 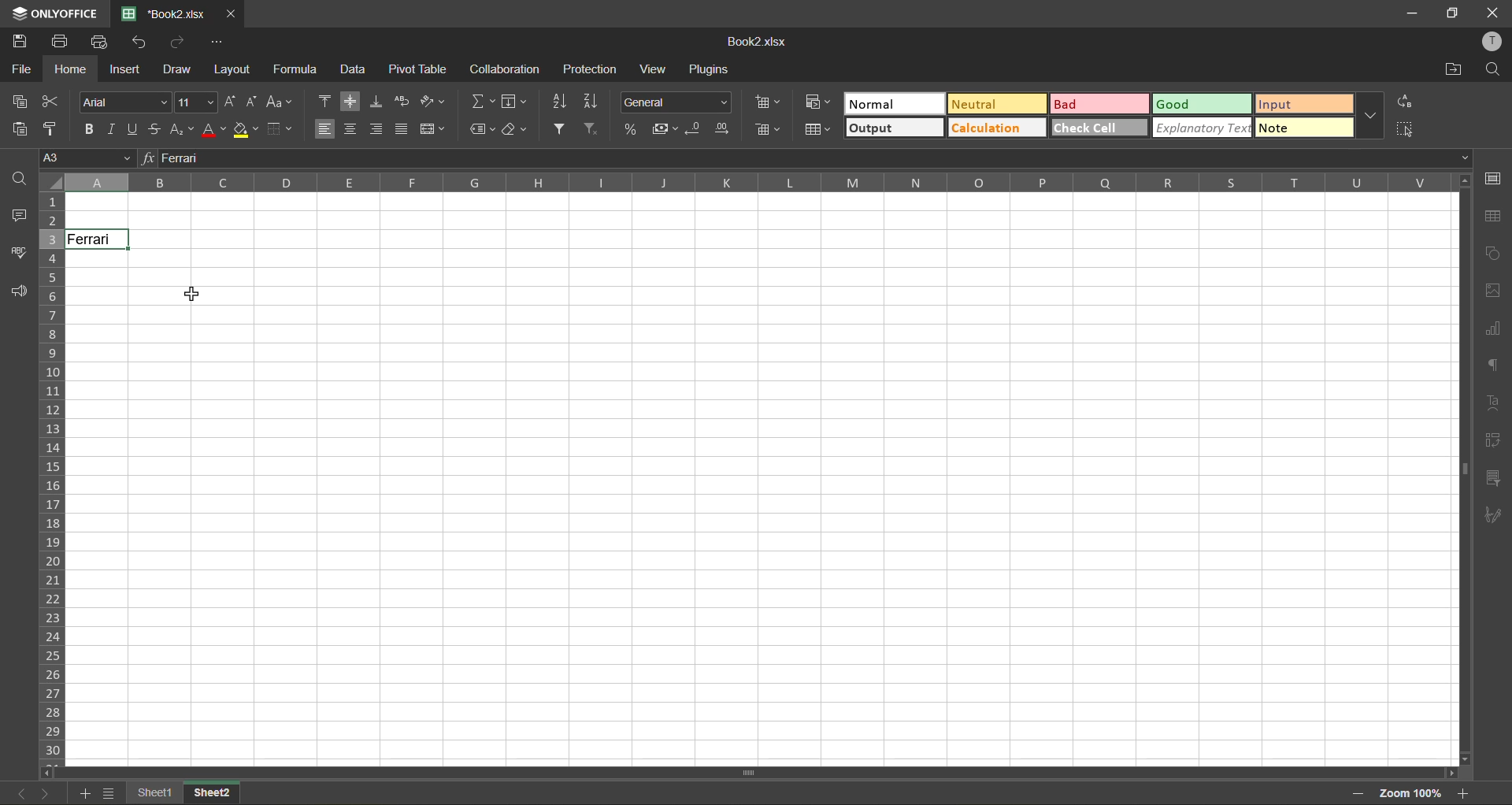 What do you see at coordinates (1490, 367) in the screenshot?
I see `paragraph` at bounding box center [1490, 367].